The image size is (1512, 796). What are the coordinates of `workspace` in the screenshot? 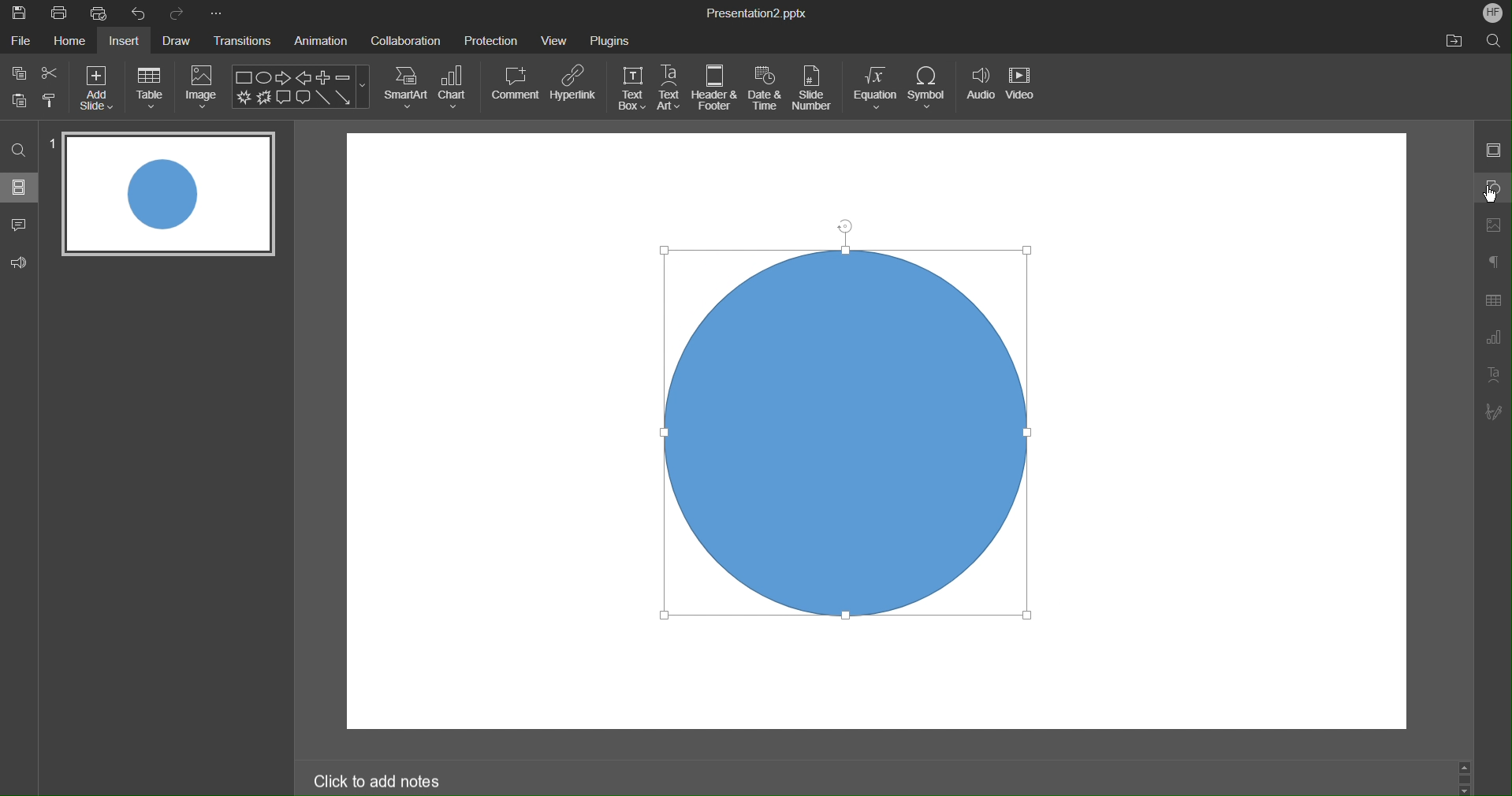 It's located at (855, 184).